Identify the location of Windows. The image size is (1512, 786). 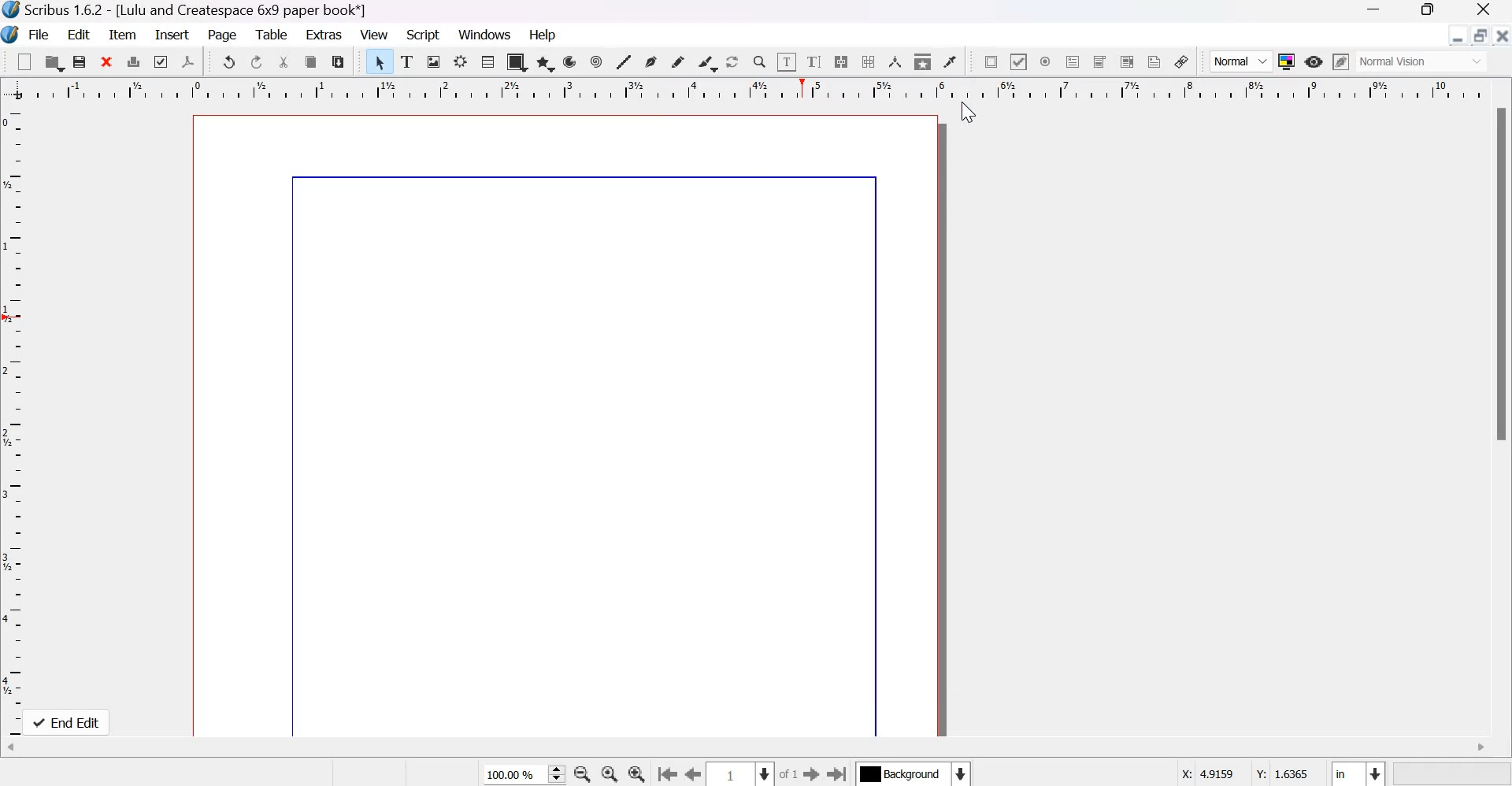
(486, 33).